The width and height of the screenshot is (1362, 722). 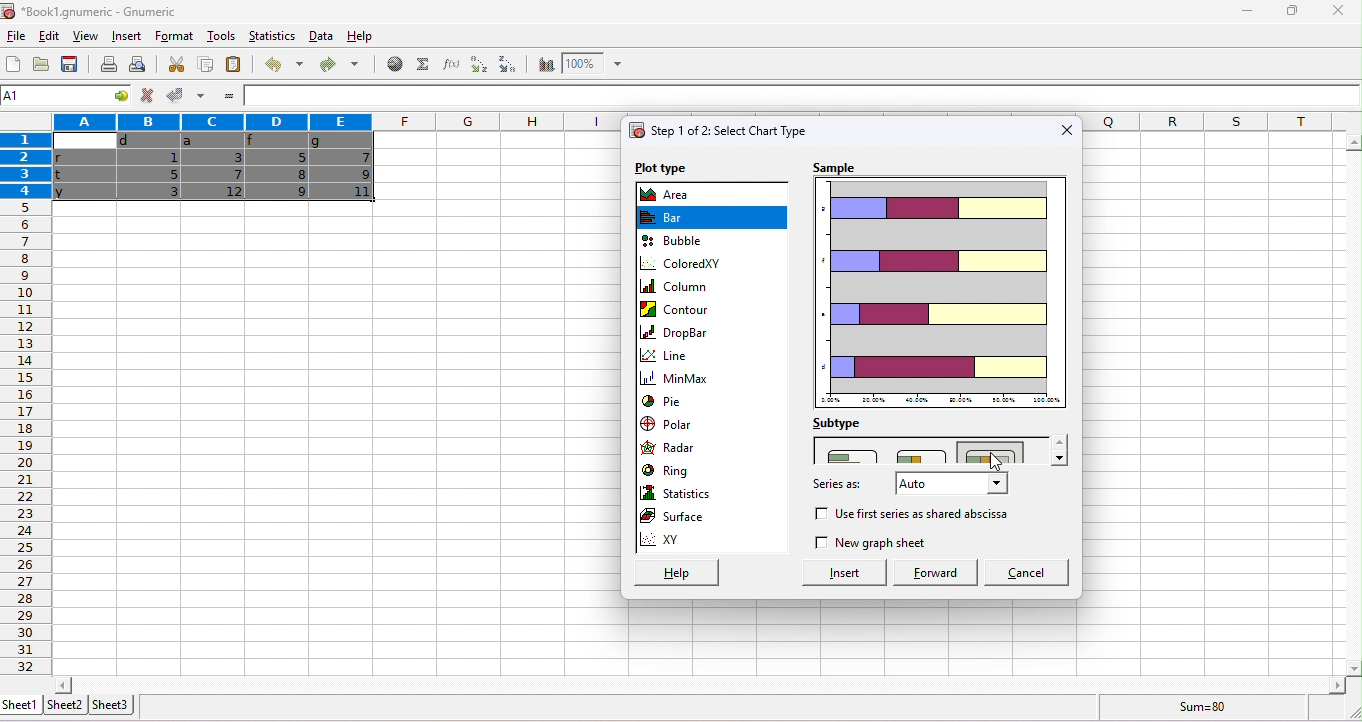 I want to click on cut, so click(x=179, y=64).